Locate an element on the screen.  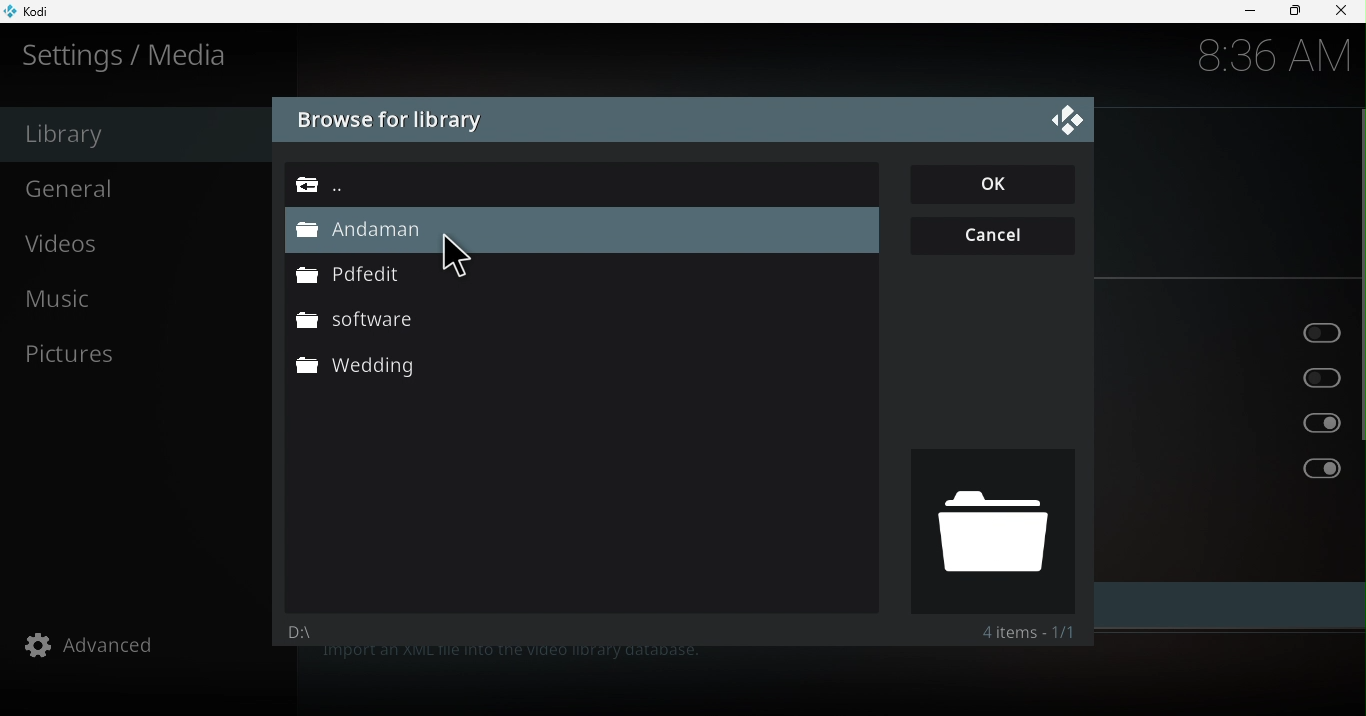
Settings/media is located at coordinates (130, 55).